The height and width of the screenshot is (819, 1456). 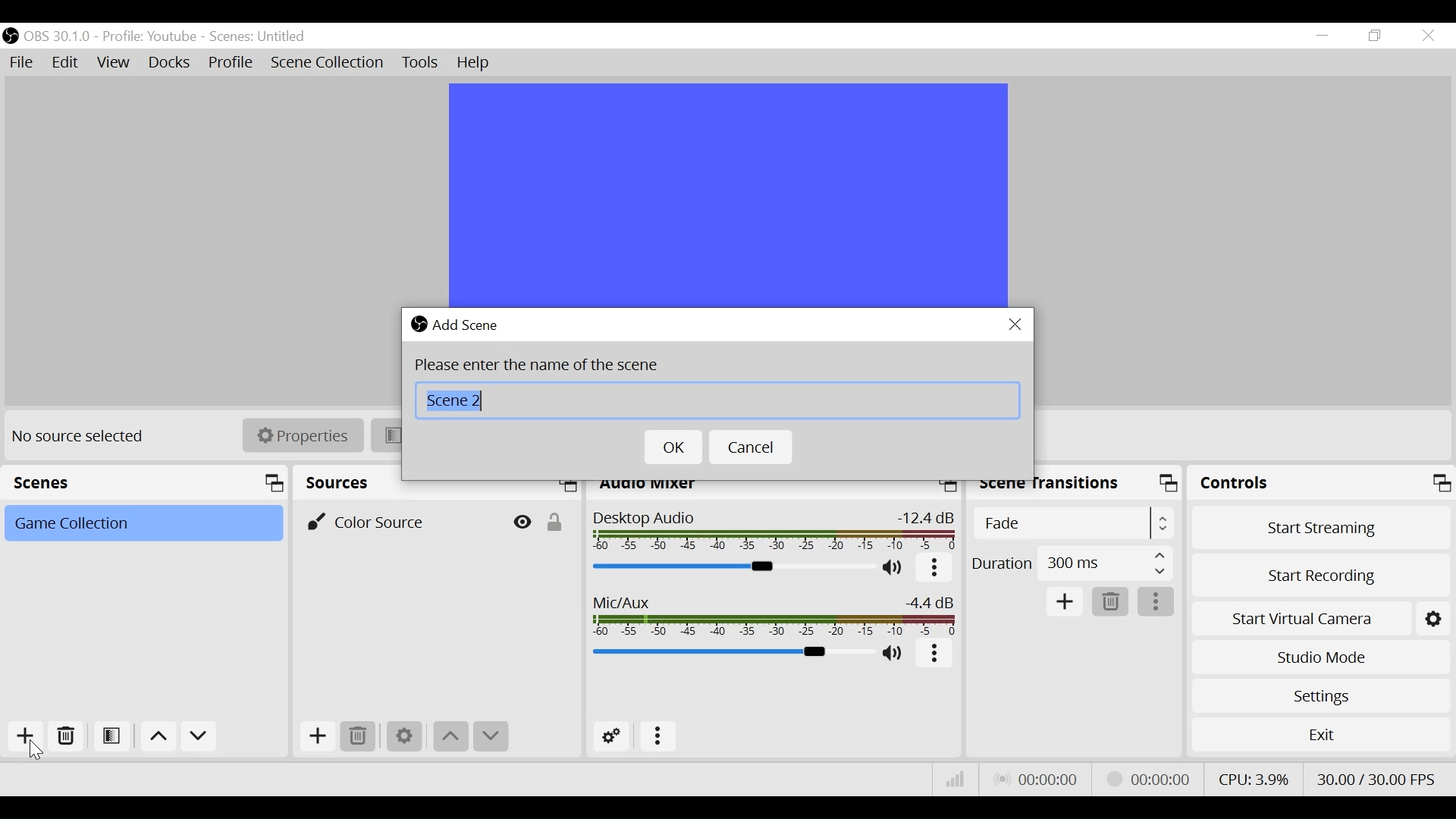 I want to click on Start Streaming, so click(x=1321, y=524).